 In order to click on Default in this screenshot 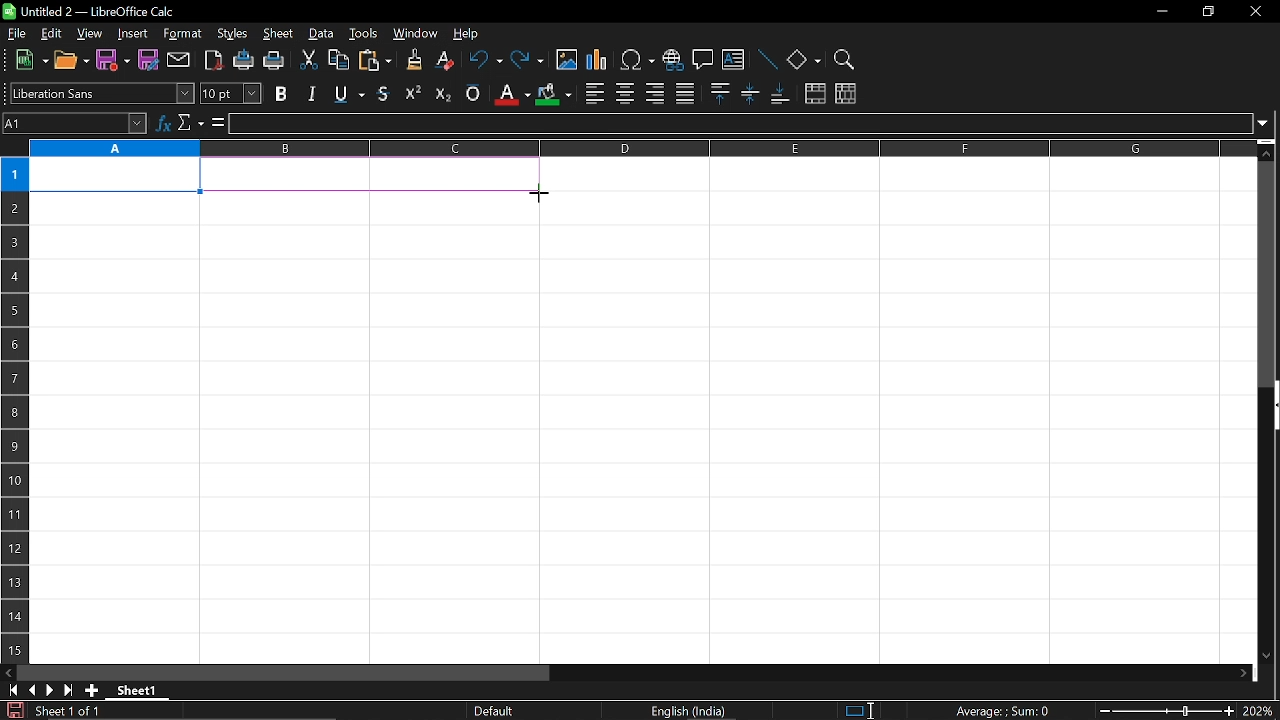, I will do `click(497, 711)`.